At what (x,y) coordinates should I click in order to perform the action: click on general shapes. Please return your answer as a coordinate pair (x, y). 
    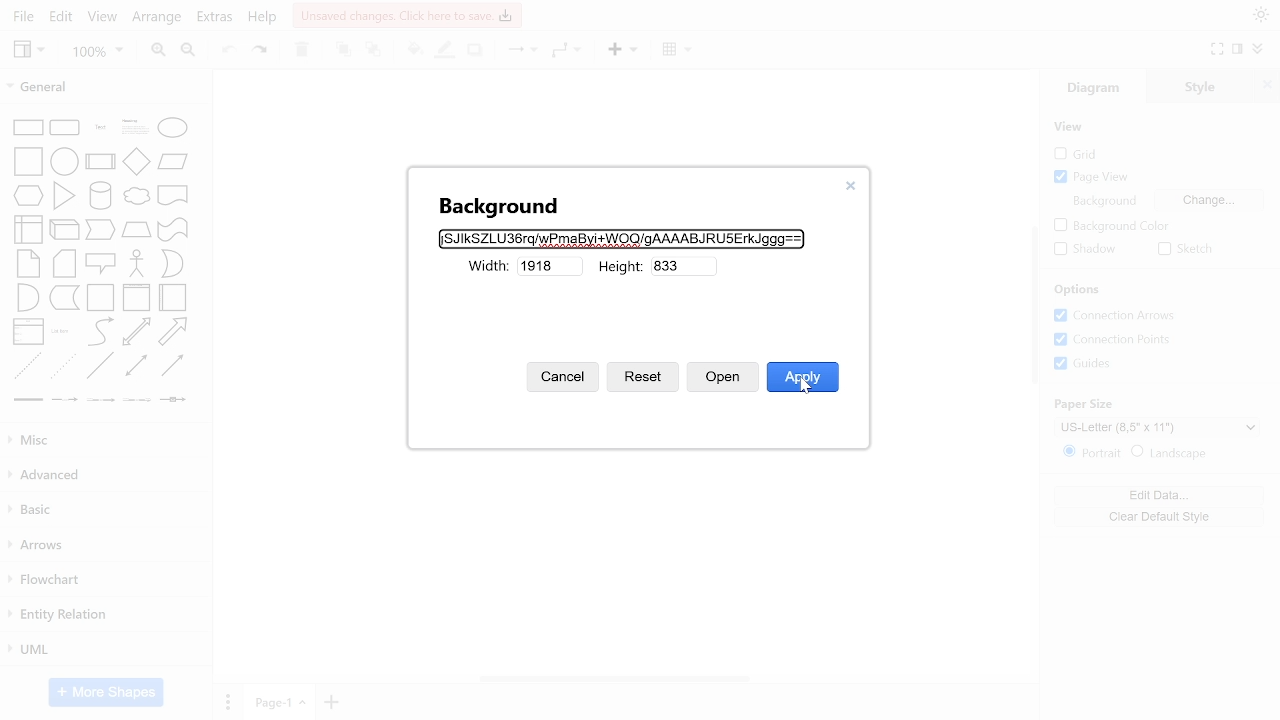
    Looking at the image, I should click on (62, 332).